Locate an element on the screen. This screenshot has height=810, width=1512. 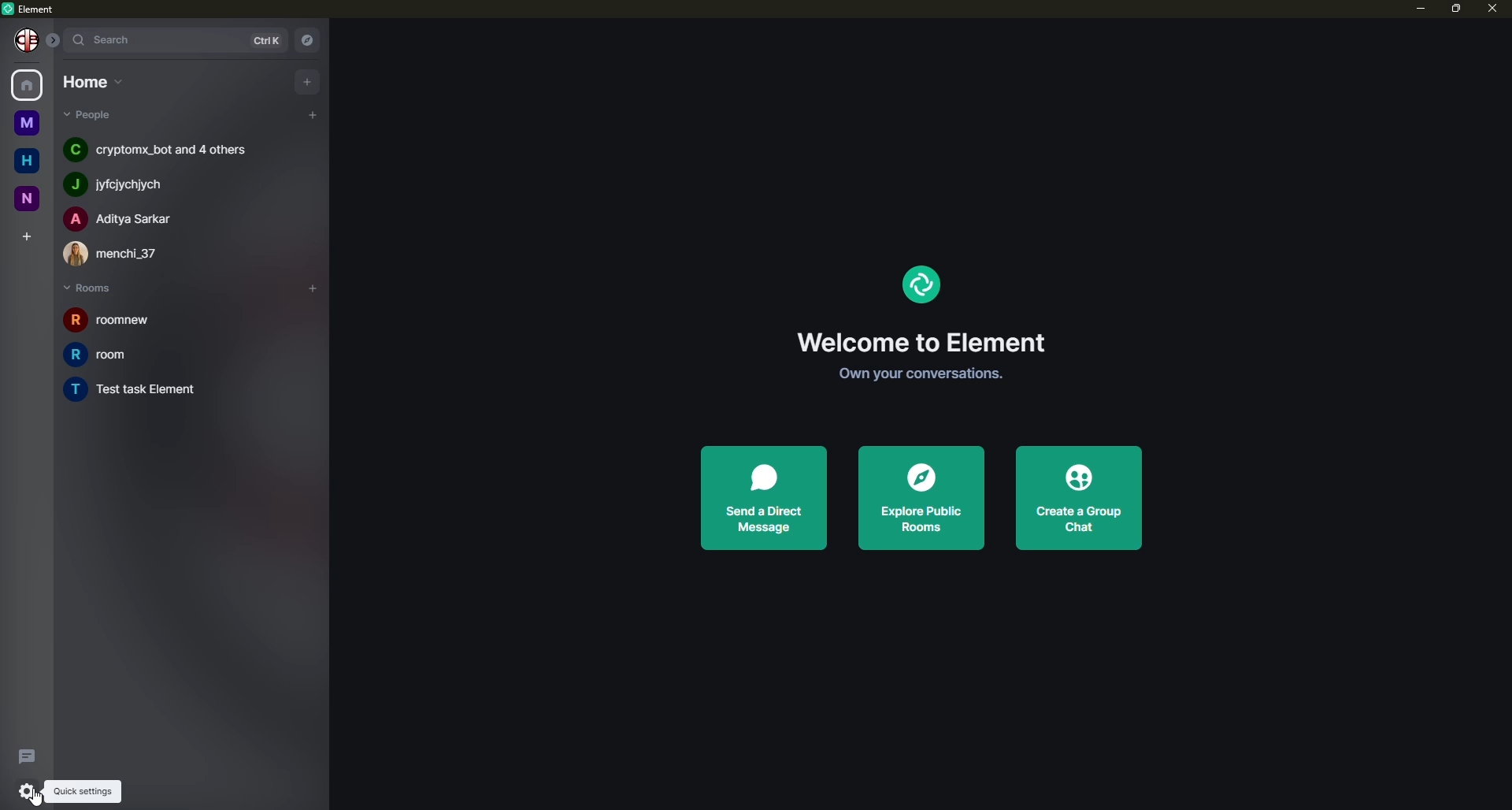
add is located at coordinates (307, 284).